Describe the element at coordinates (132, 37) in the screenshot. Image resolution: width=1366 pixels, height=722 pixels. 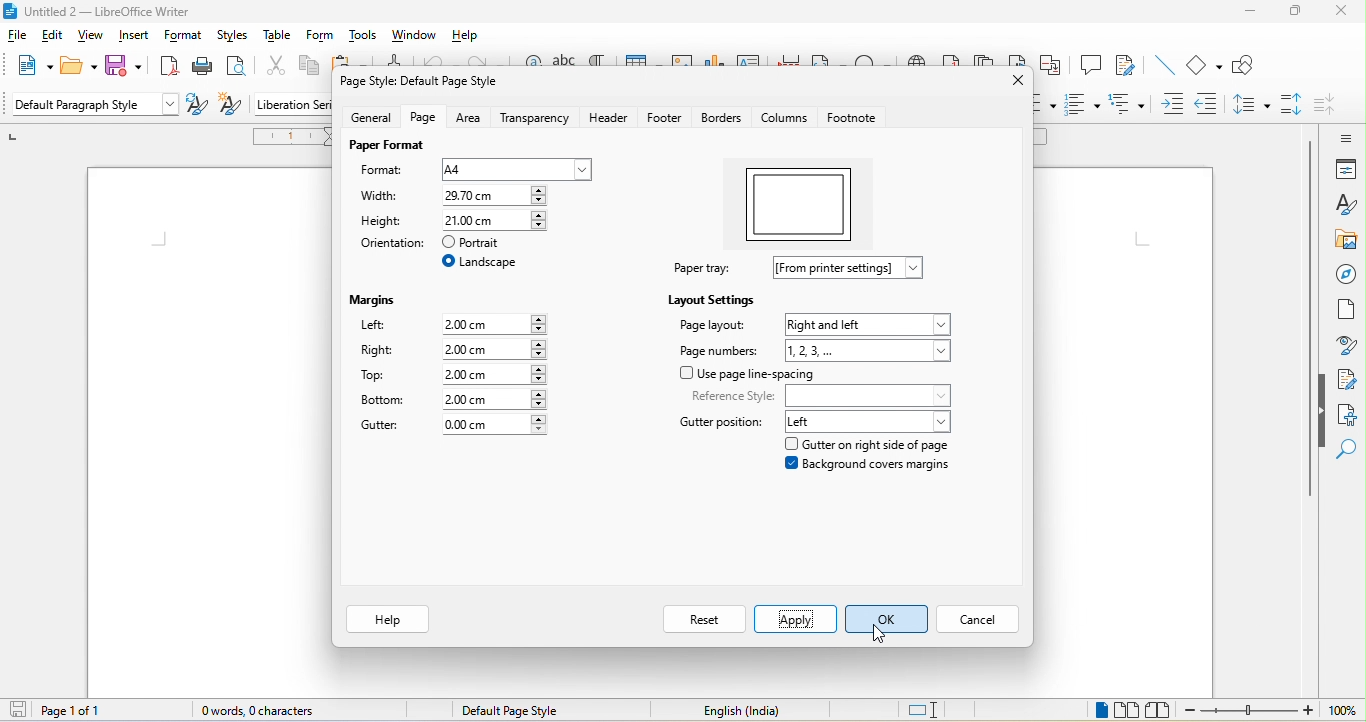
I see `insert` at that location.